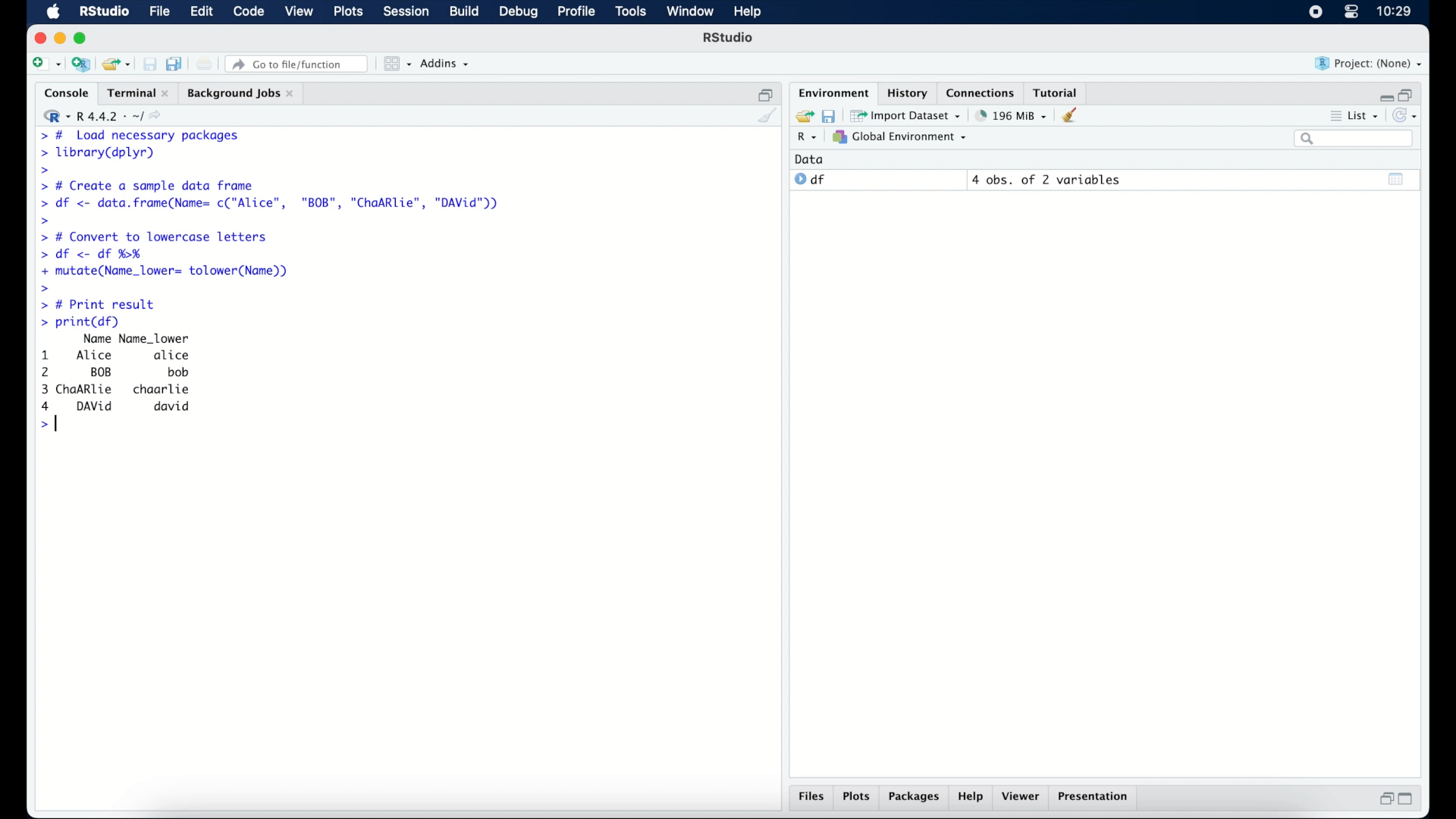 This screenshot has width=1456, height=819. Describe the element at coordinates (396, 64) in the screenshot. I see `workspace panes` at that location.